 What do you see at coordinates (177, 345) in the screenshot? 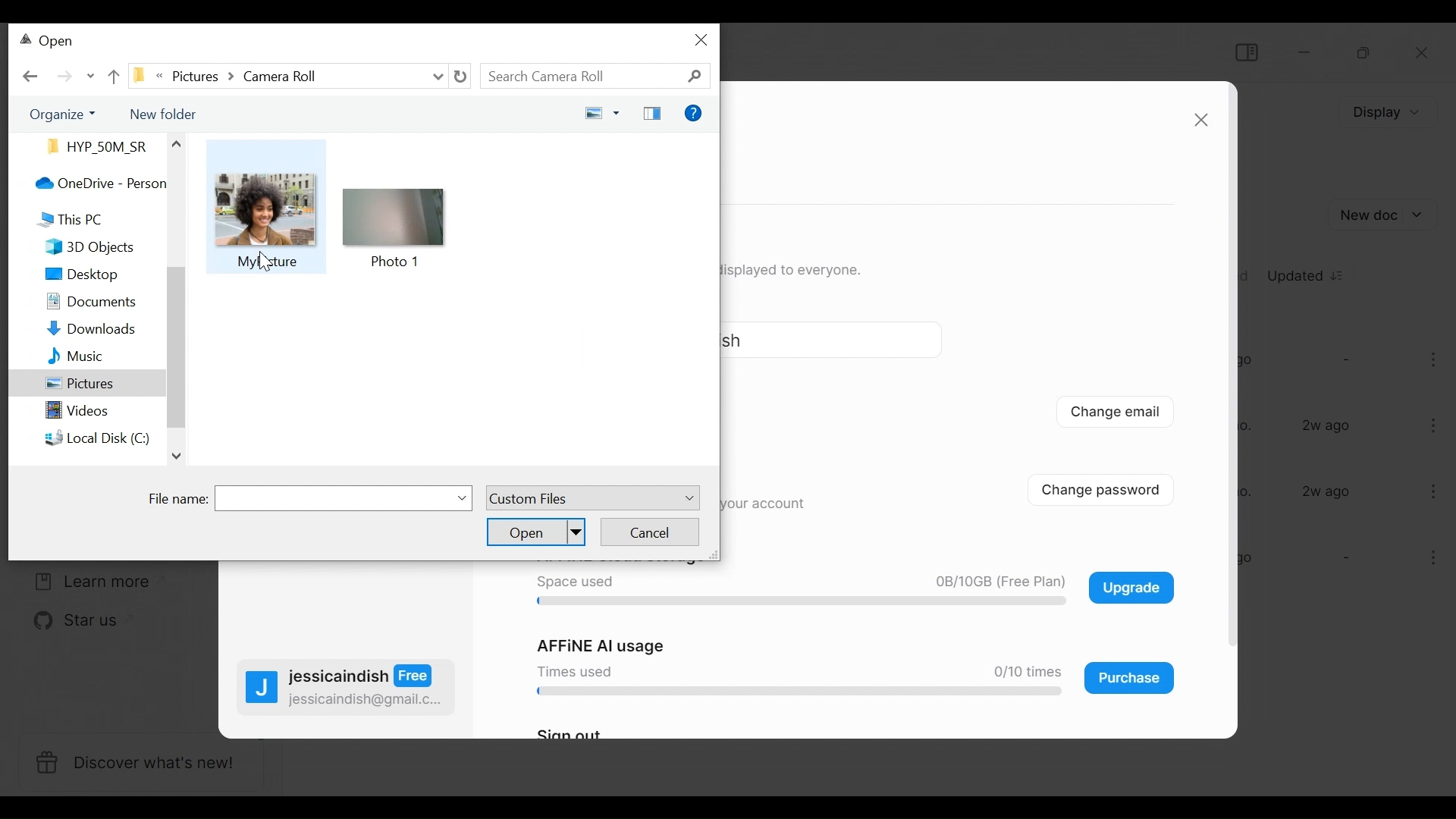
I see `scroll` at bounding box center [177, 345].